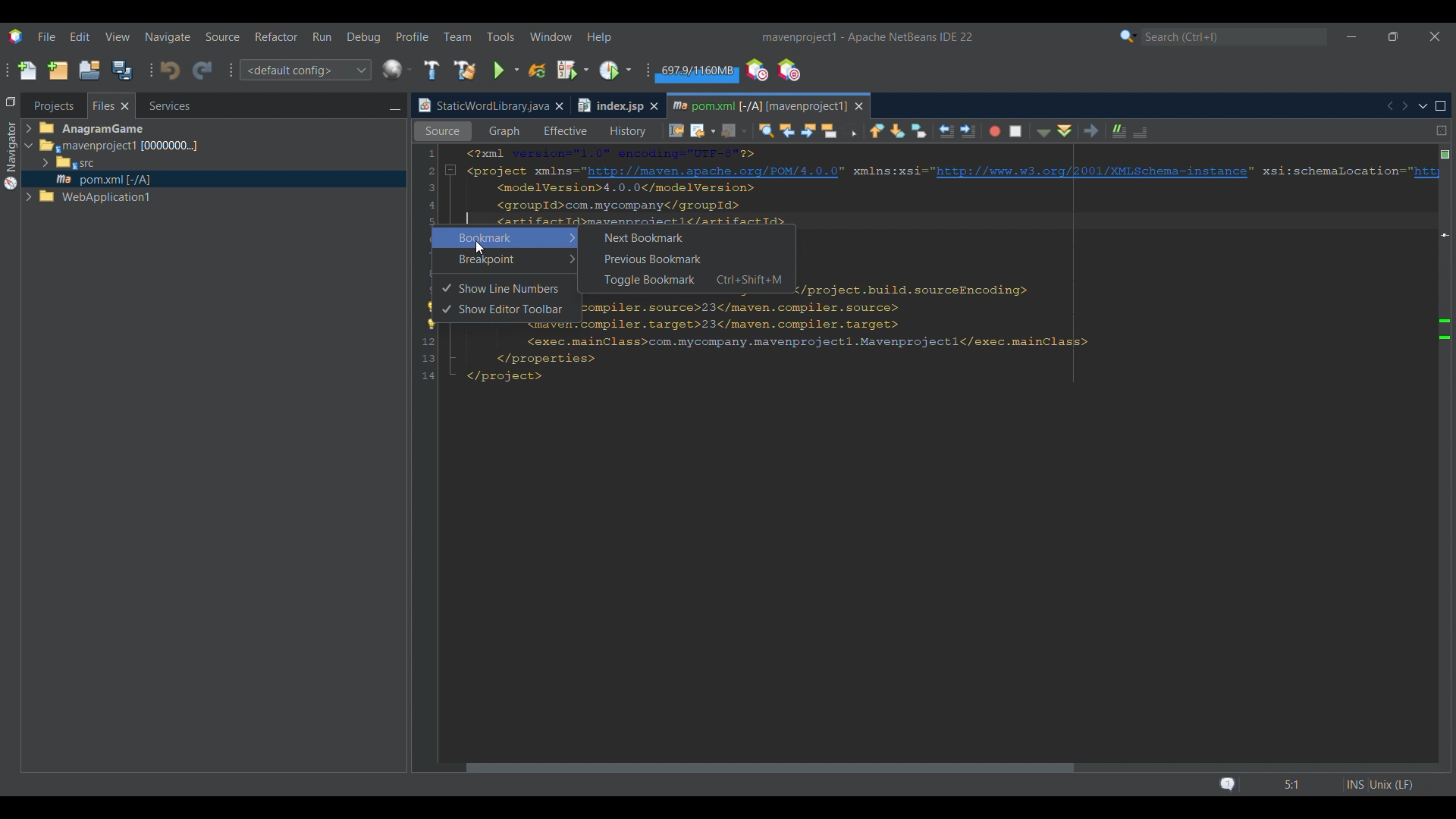 This screenshot has height=819, width=1456. What do you see at coordinates (617, 105) in the screenshot?
I see `Other tab` at bounding box center [617, 105].